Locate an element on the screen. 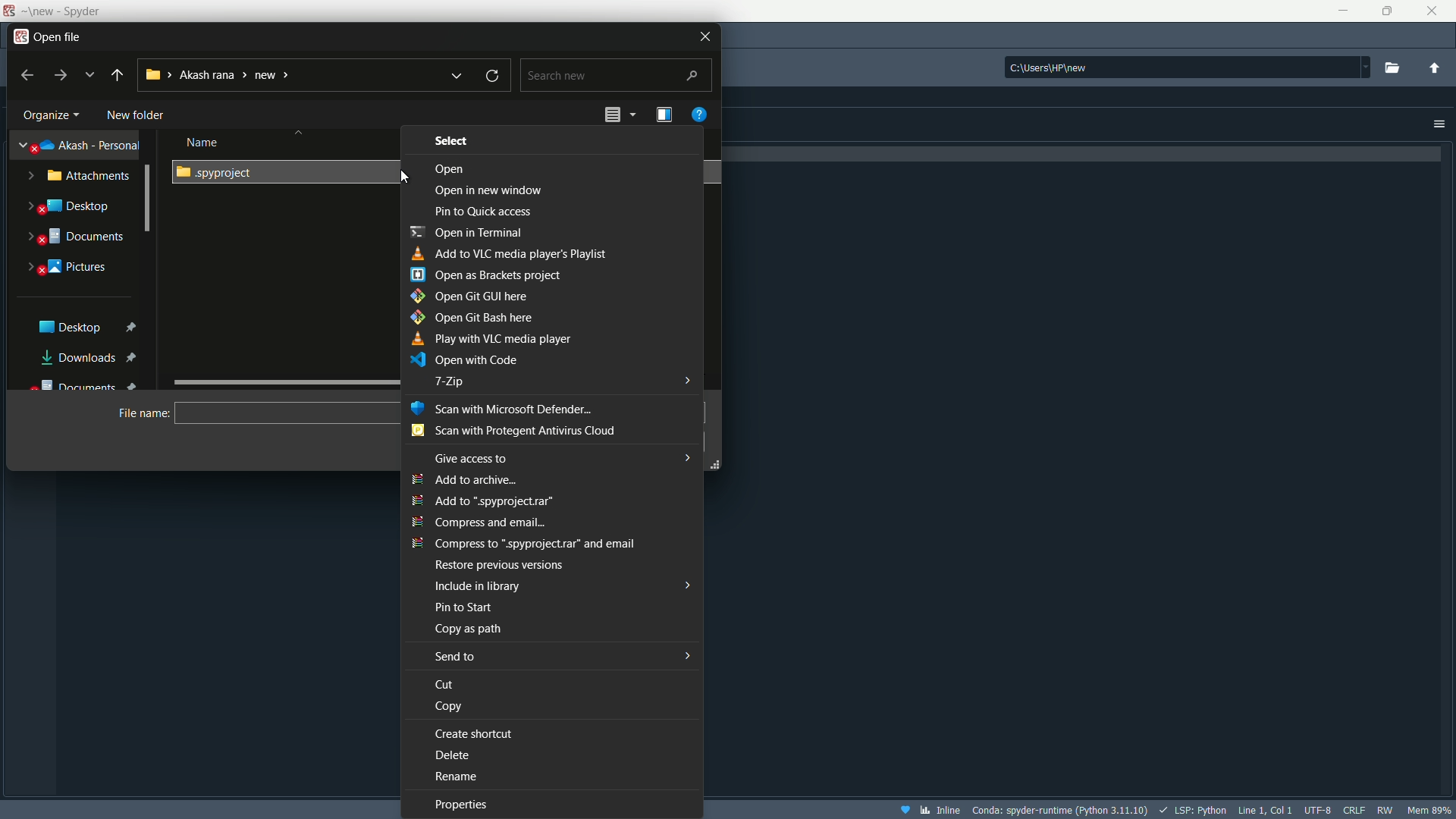 The width and height of the screenshot is (1456, 819). Scrollbar is located at coordinates (147, 197).